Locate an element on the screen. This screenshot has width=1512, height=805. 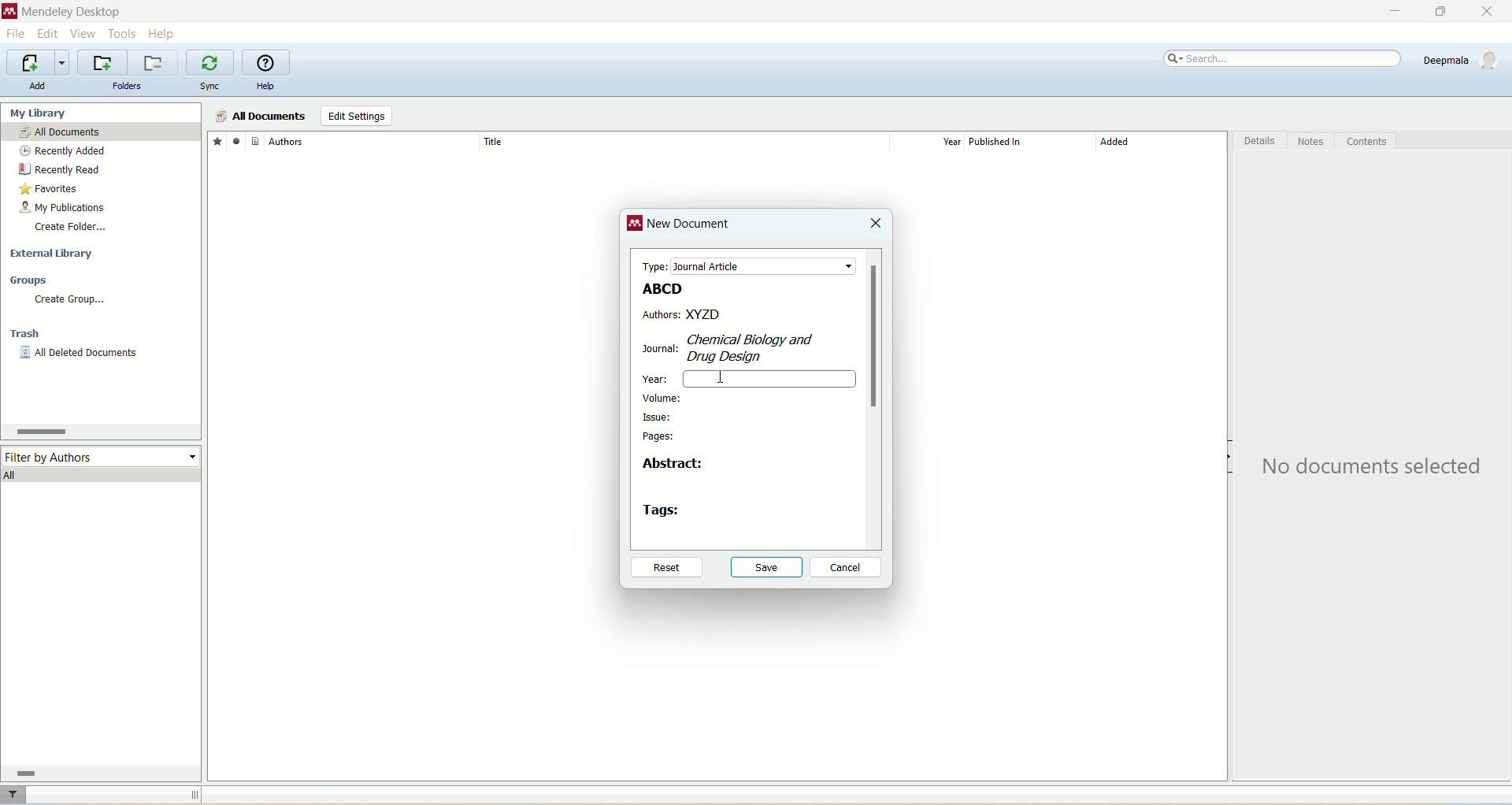
mendeley desktop is located at coordinates (69, 13).